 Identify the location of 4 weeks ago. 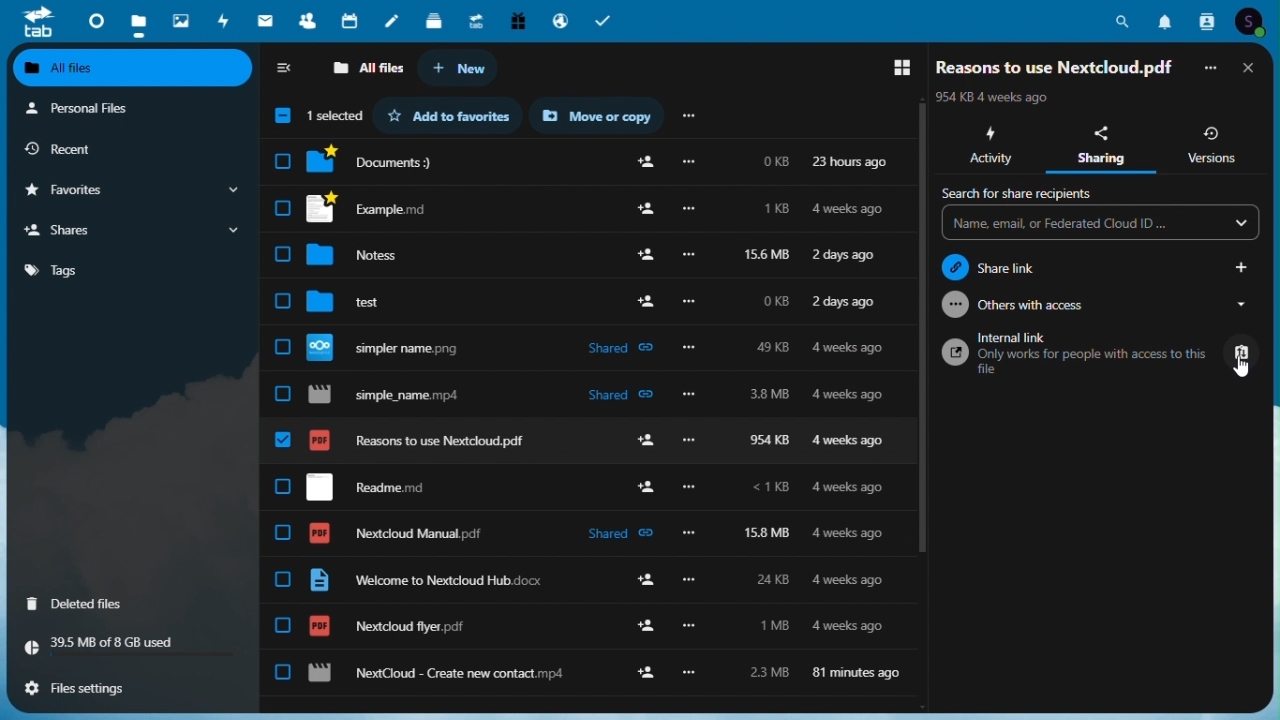
(853, 580).